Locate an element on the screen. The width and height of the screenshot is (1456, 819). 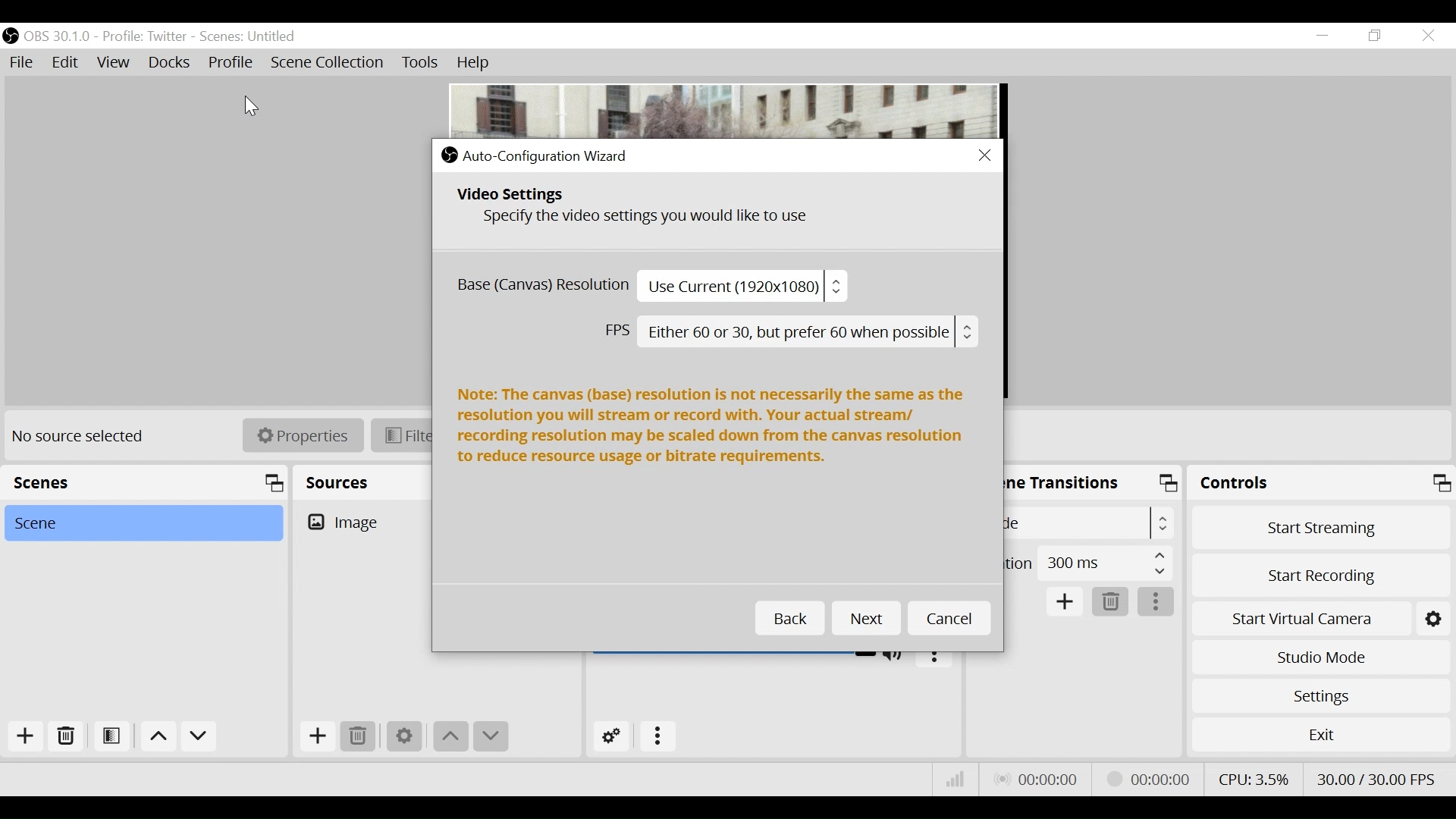
Frame Per Second is located at coordinates (1376, 777).